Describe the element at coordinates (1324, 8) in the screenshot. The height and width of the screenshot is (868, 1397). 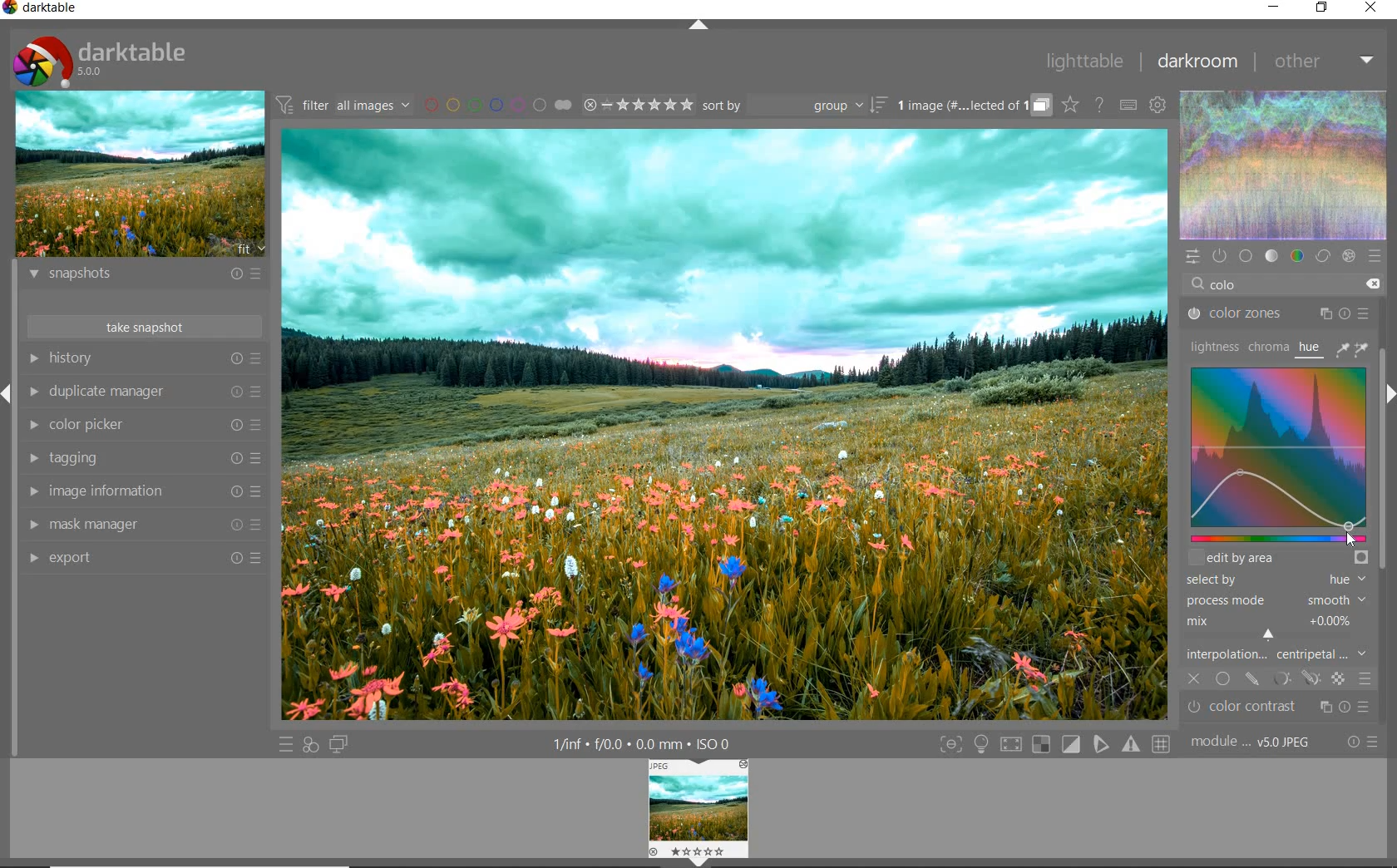
I see `restore` at that location.